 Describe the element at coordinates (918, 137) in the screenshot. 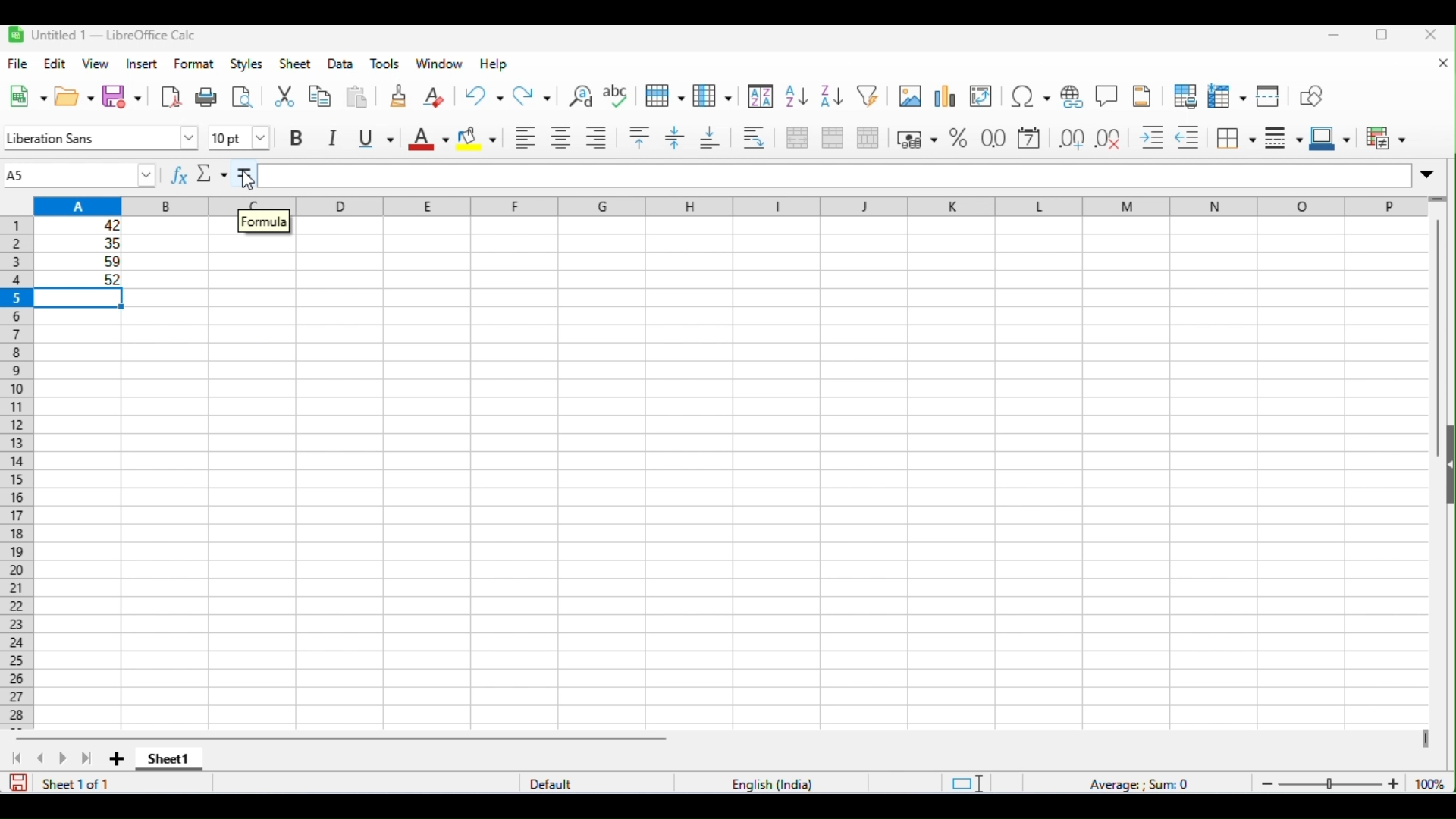

I see `format as currency` at that location.